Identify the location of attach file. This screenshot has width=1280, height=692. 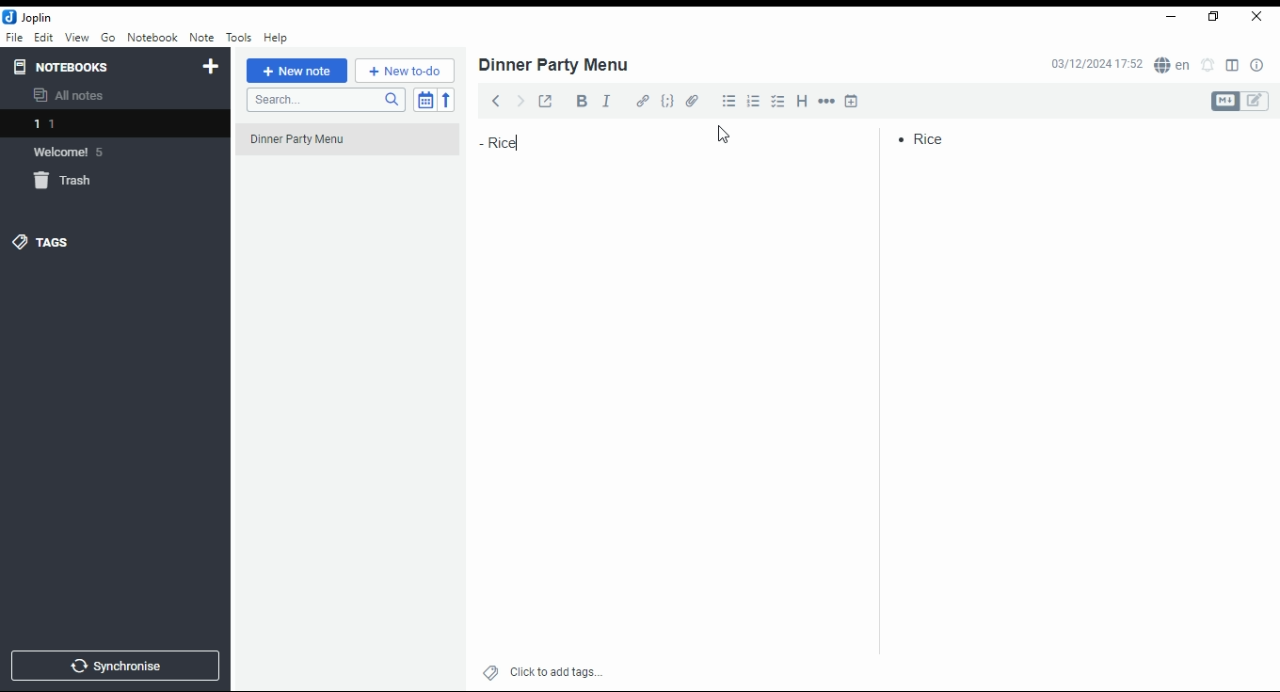
(695, 100).